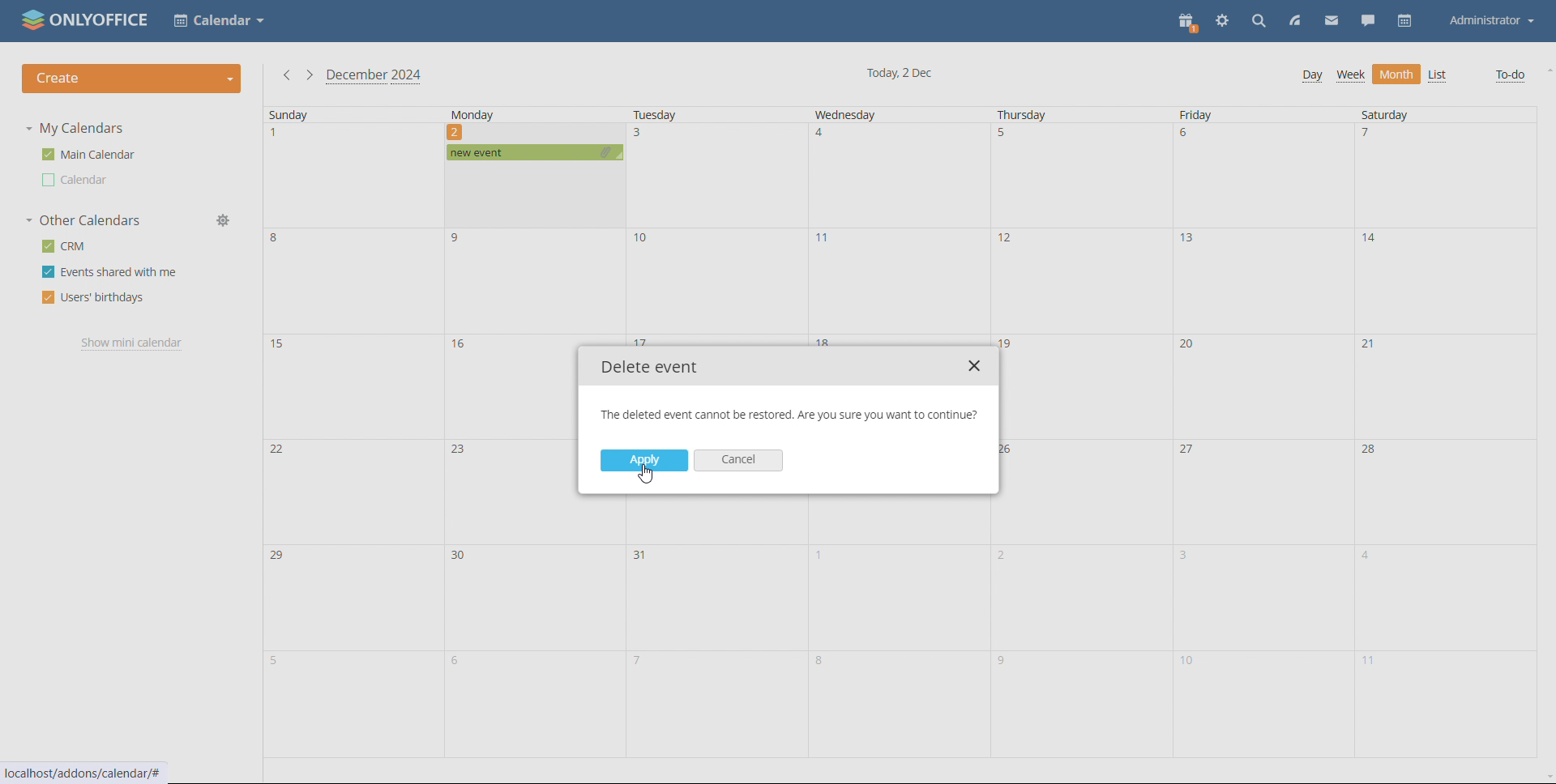  Describe the element at coordinates (92, 297) in the screenshot. I see `users' birthdays` at that location.